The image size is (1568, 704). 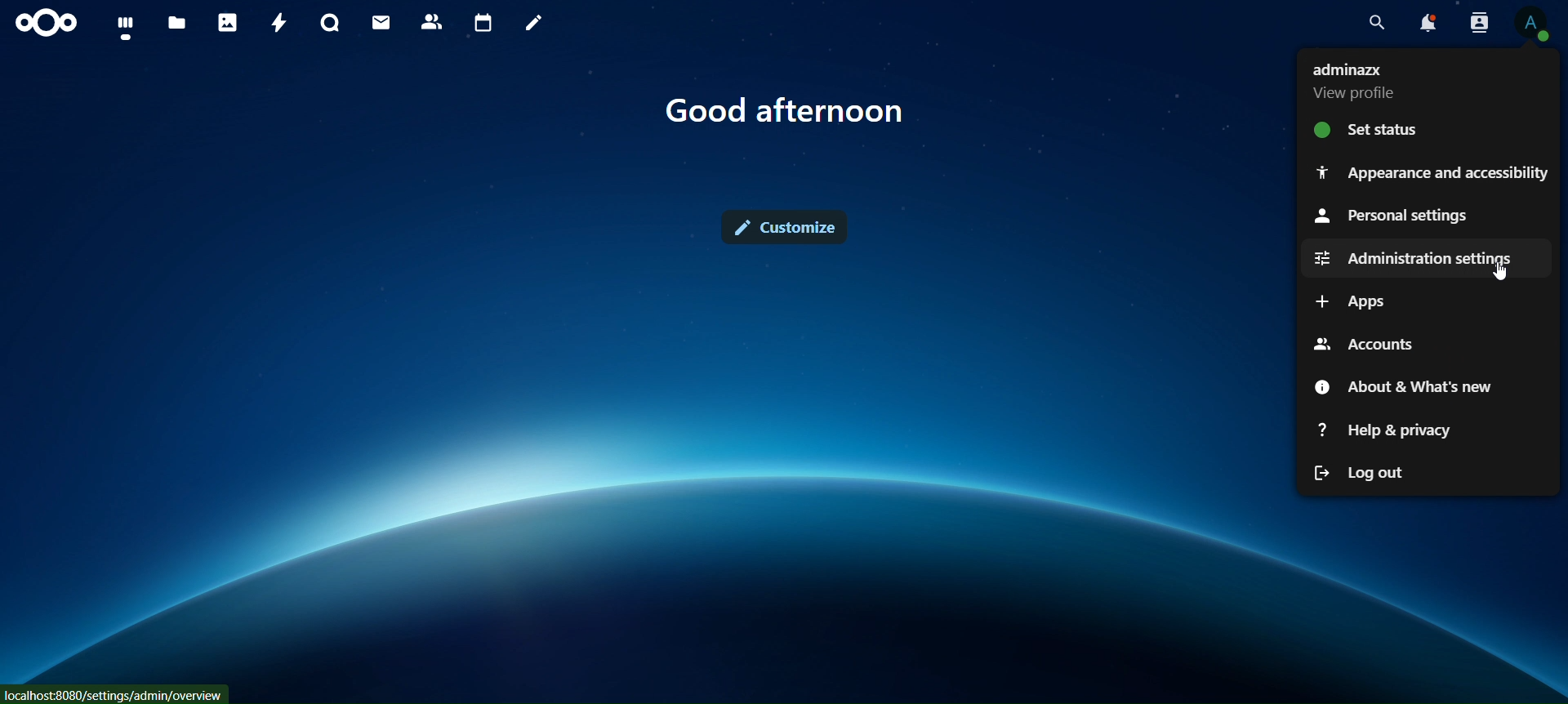 I want to click on talk, so click(x=332, y=23).